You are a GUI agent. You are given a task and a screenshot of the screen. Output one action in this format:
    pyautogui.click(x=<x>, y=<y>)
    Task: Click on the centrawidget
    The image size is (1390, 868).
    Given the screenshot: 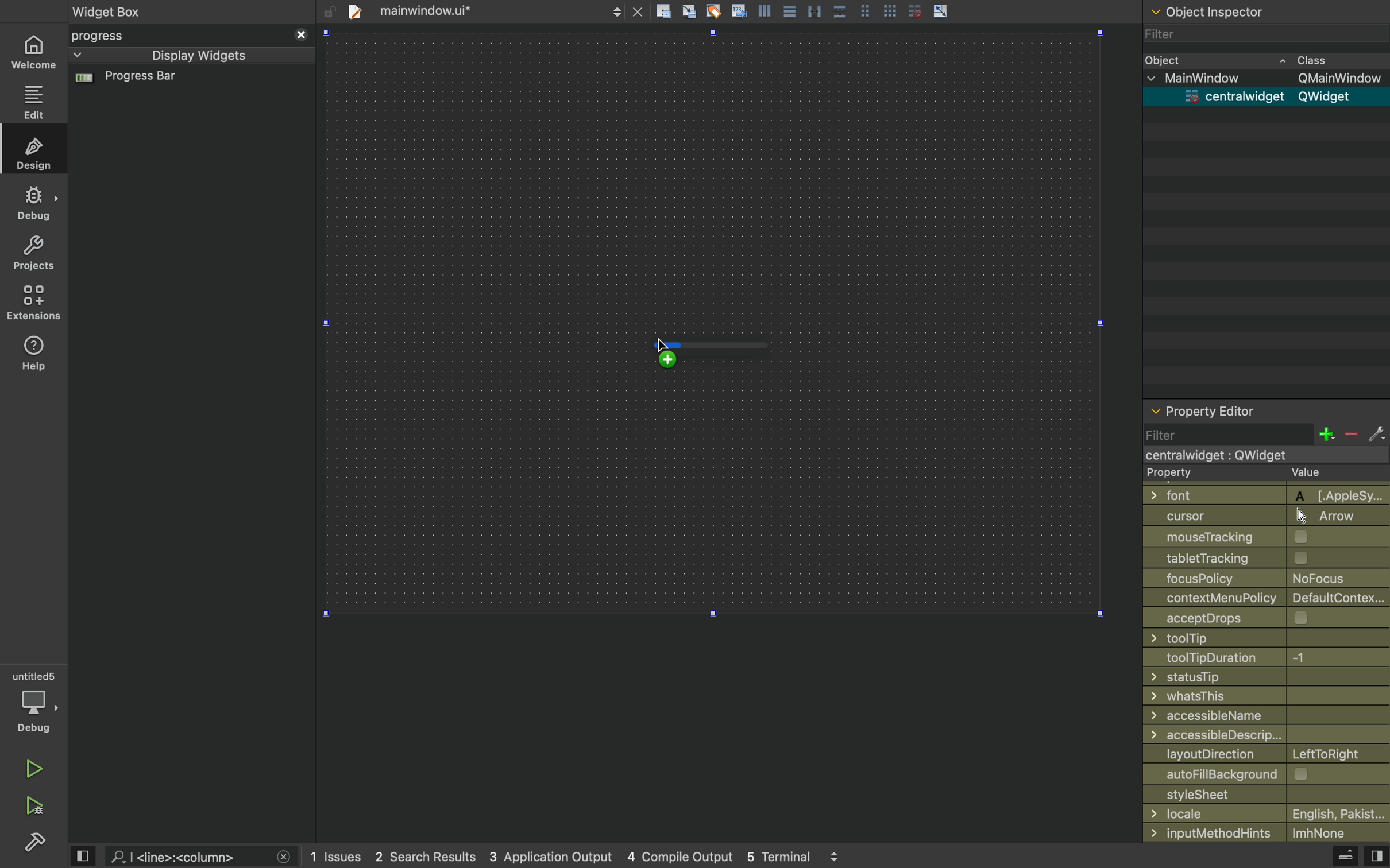 What is the action you would take?
    pyautogui.click(x=1262, y=96)
    